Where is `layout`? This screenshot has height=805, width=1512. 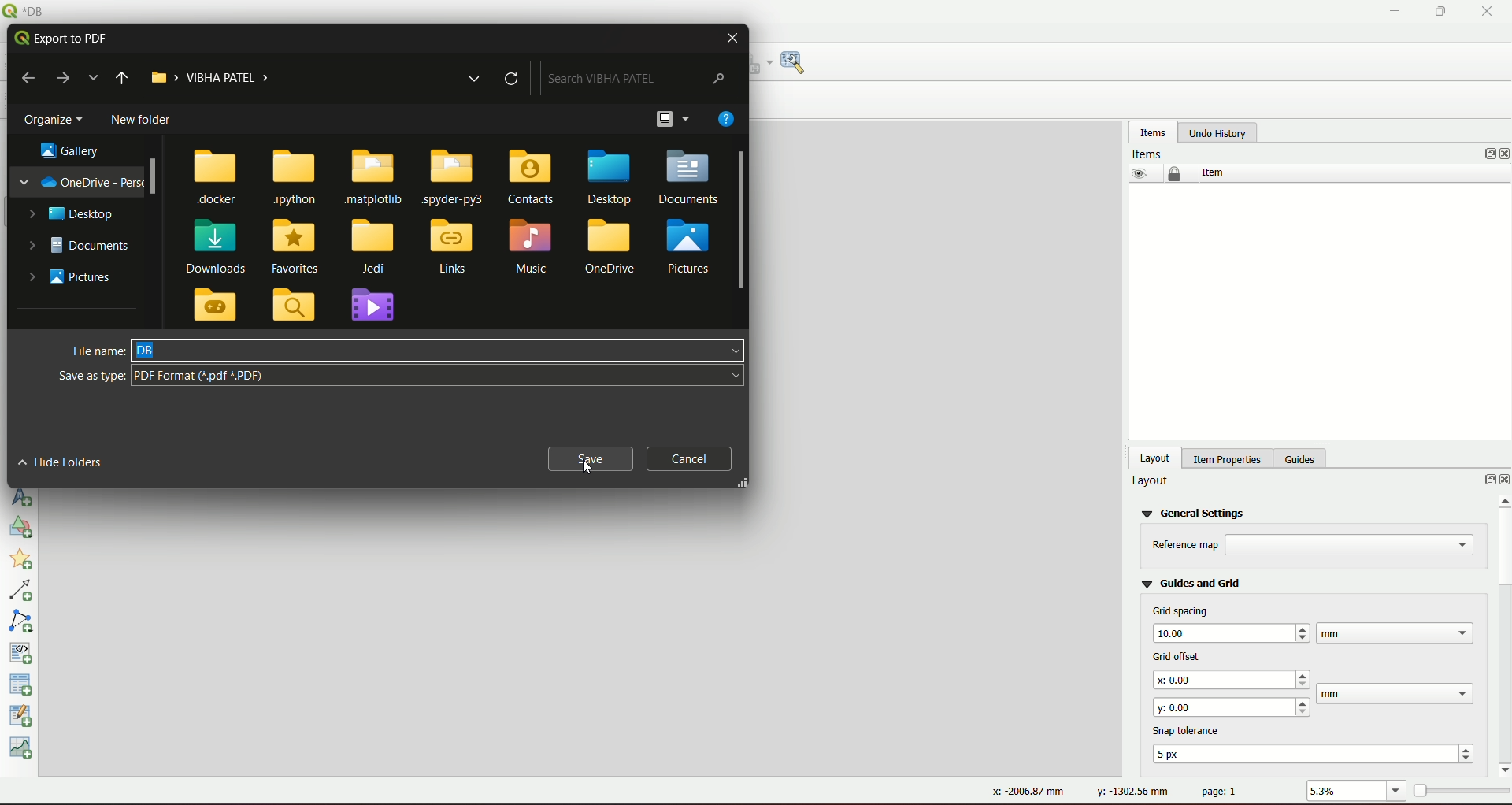
layout is located at coordinates (1151, 481).